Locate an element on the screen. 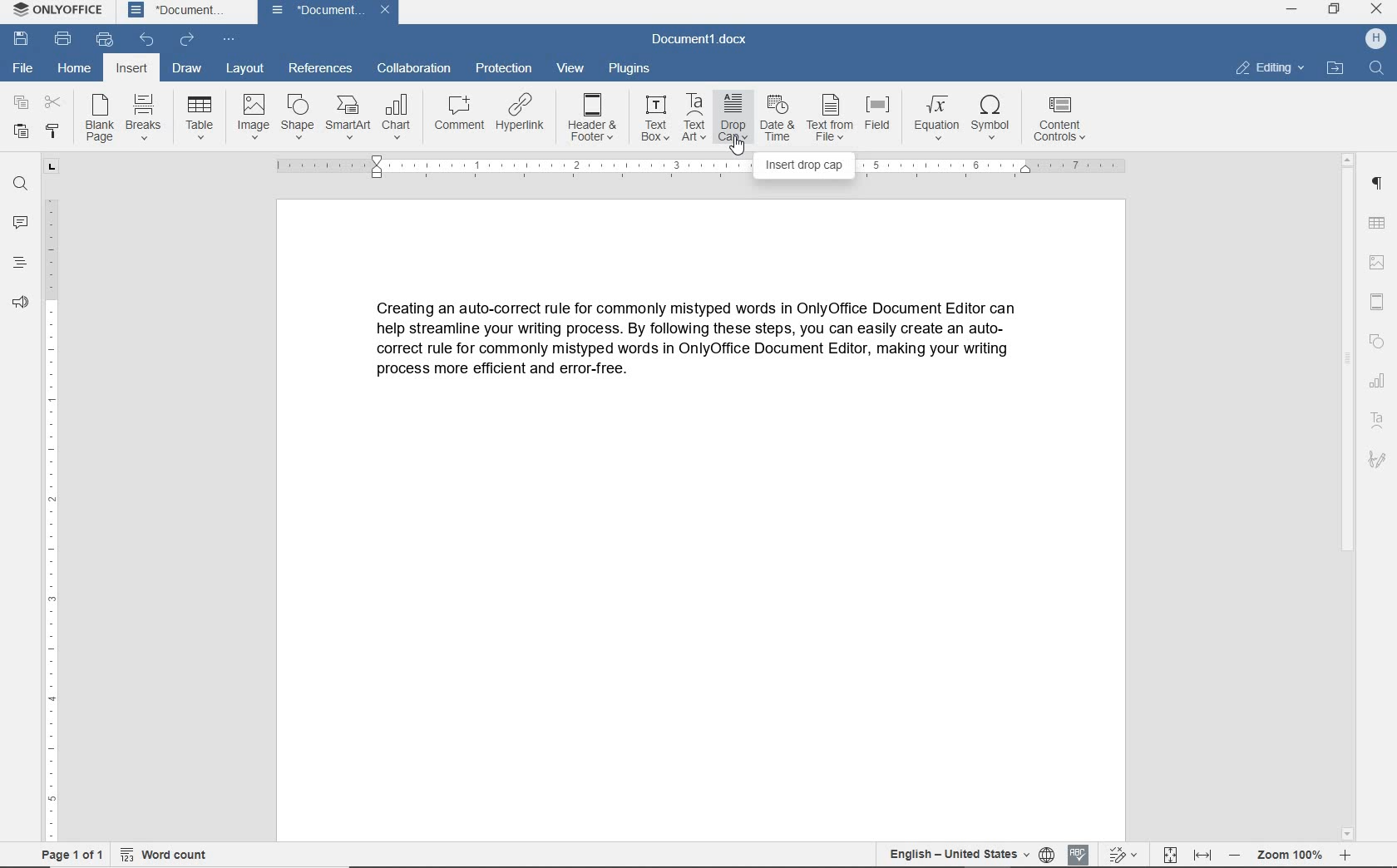 Image resolution: width=1397 pixels, height=868 pixels. zoom out or zoom in is located at coordinates (1295, 856).